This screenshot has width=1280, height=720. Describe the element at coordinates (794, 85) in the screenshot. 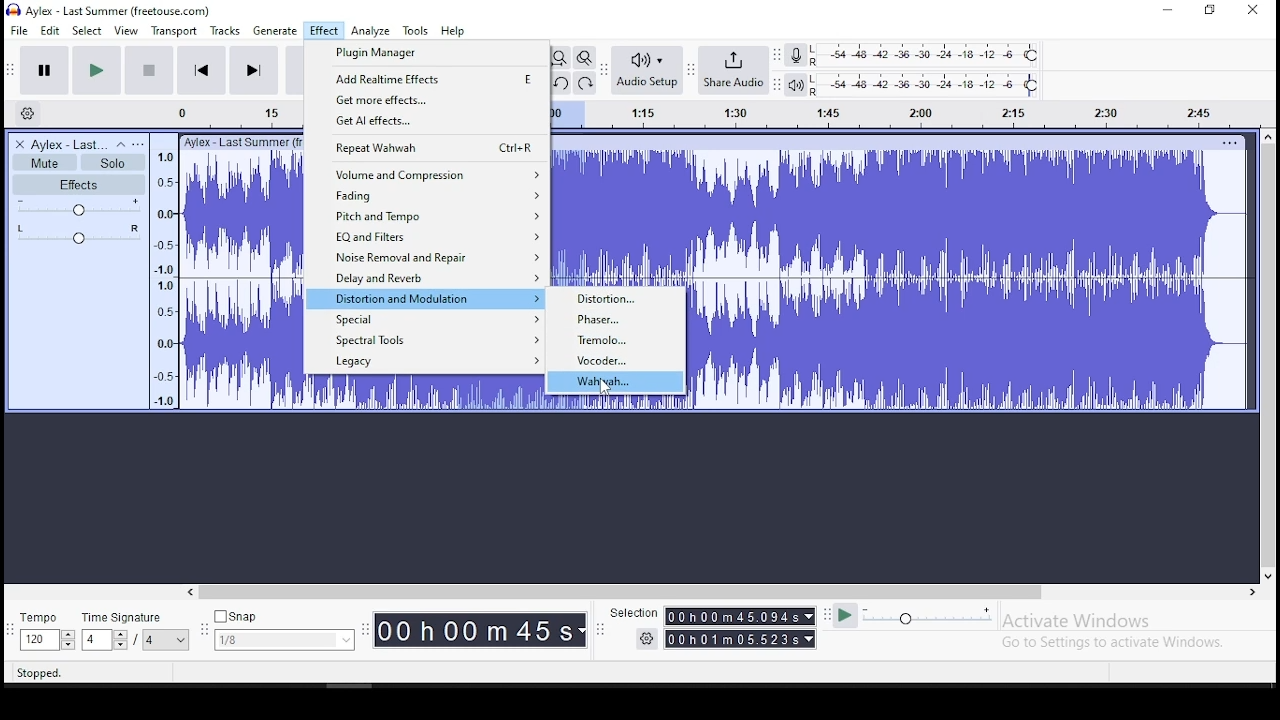

I see `playback meter` at that location.